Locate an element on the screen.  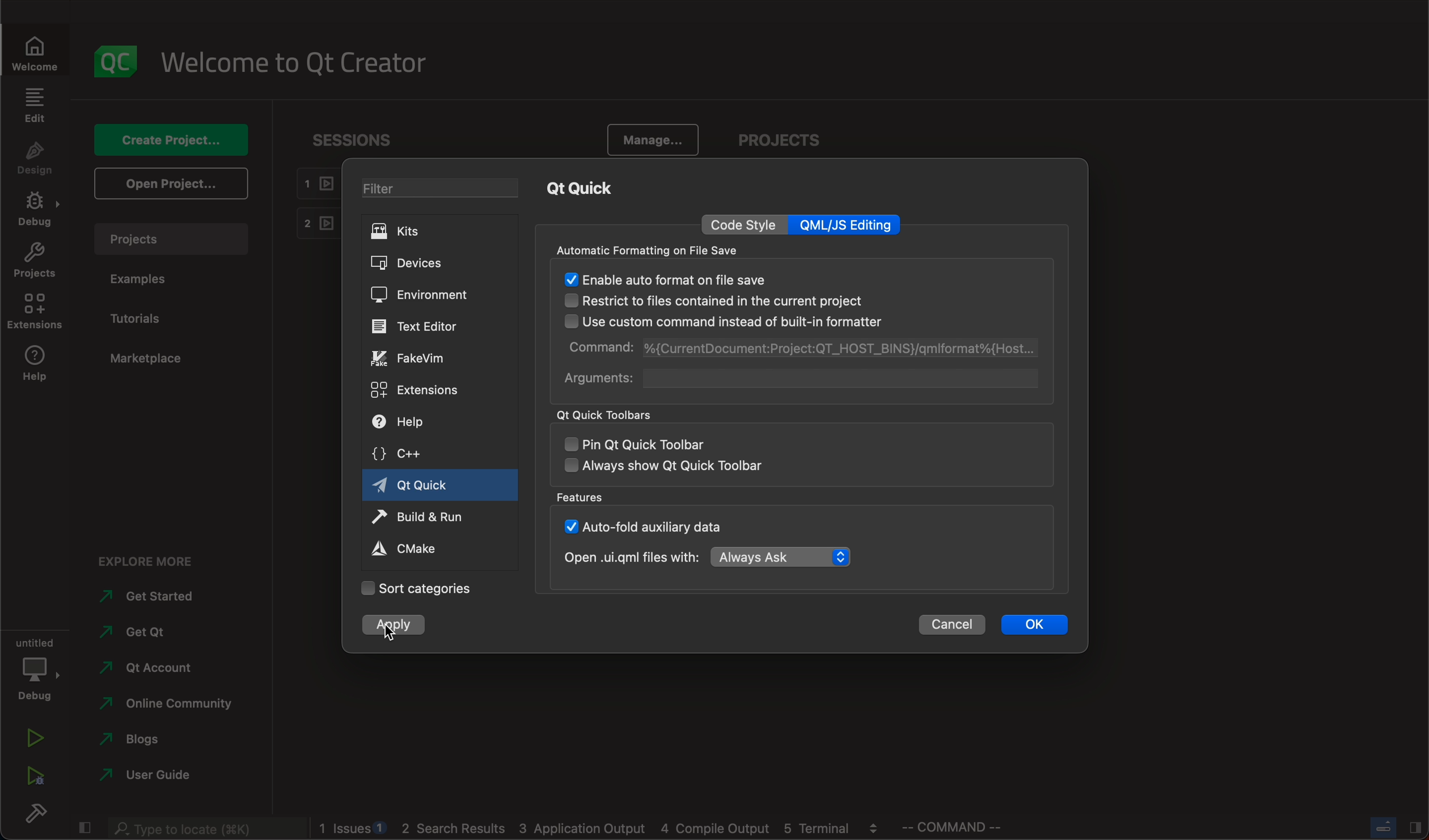
debug is located at coordinates (36, 667).